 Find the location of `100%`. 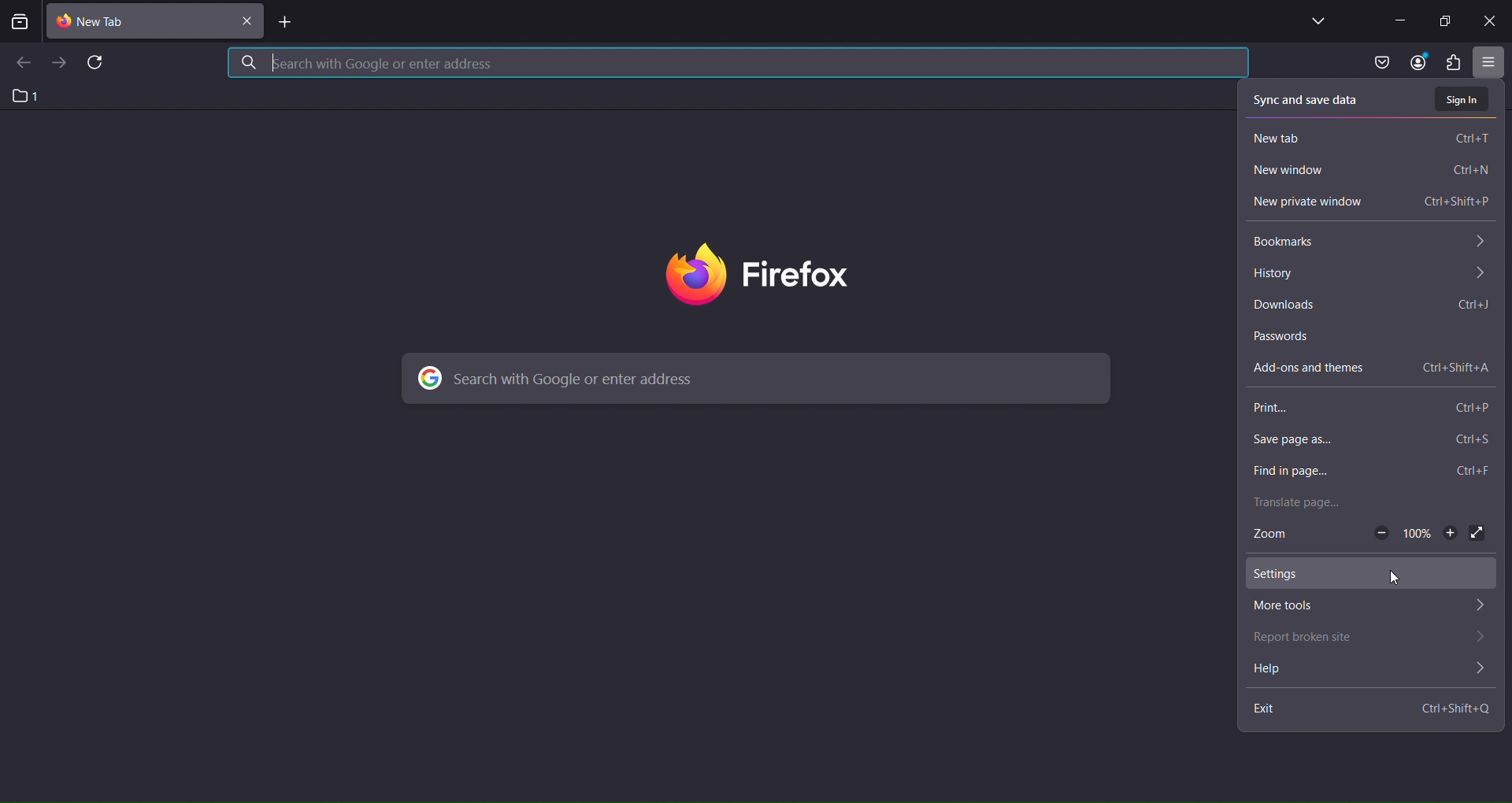

100% is located at coordinates (1417, 535).